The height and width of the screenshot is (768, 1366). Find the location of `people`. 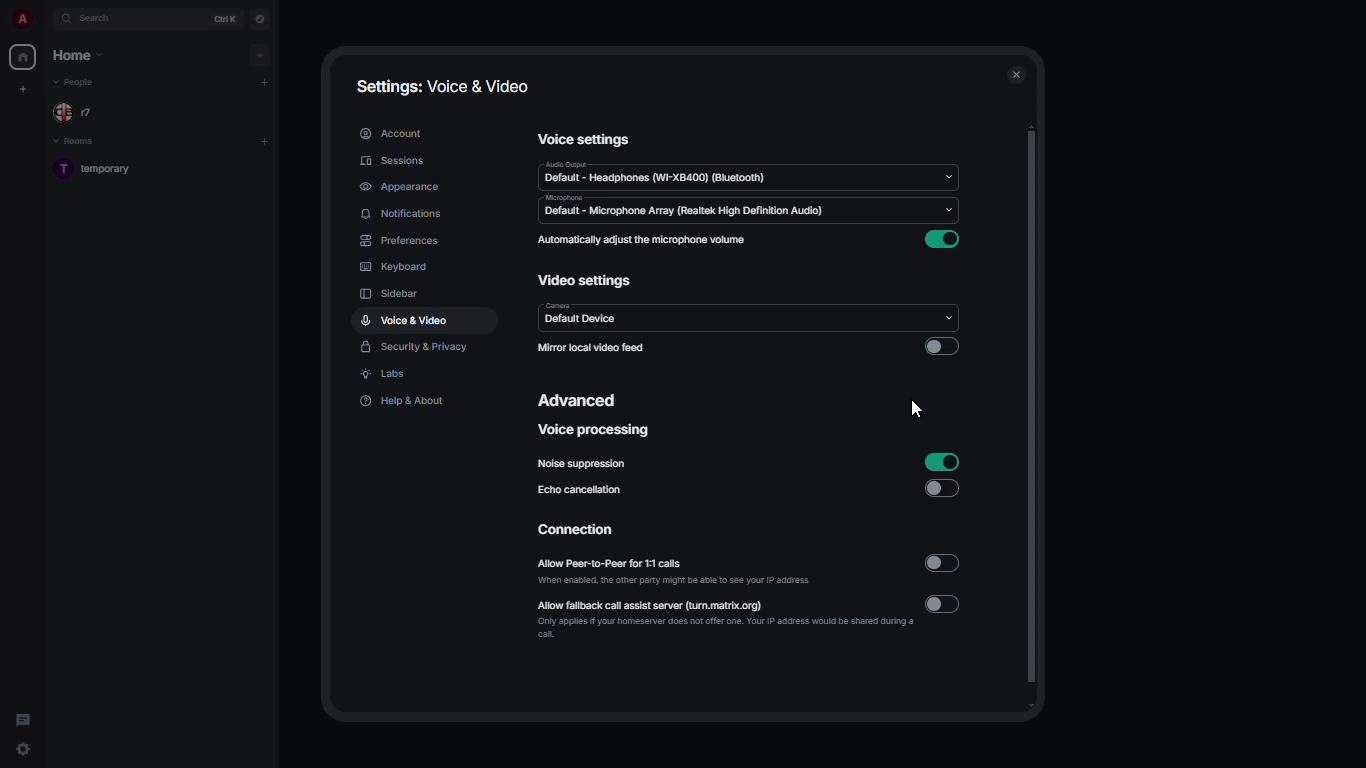

people is located at coordinates (78, 114).